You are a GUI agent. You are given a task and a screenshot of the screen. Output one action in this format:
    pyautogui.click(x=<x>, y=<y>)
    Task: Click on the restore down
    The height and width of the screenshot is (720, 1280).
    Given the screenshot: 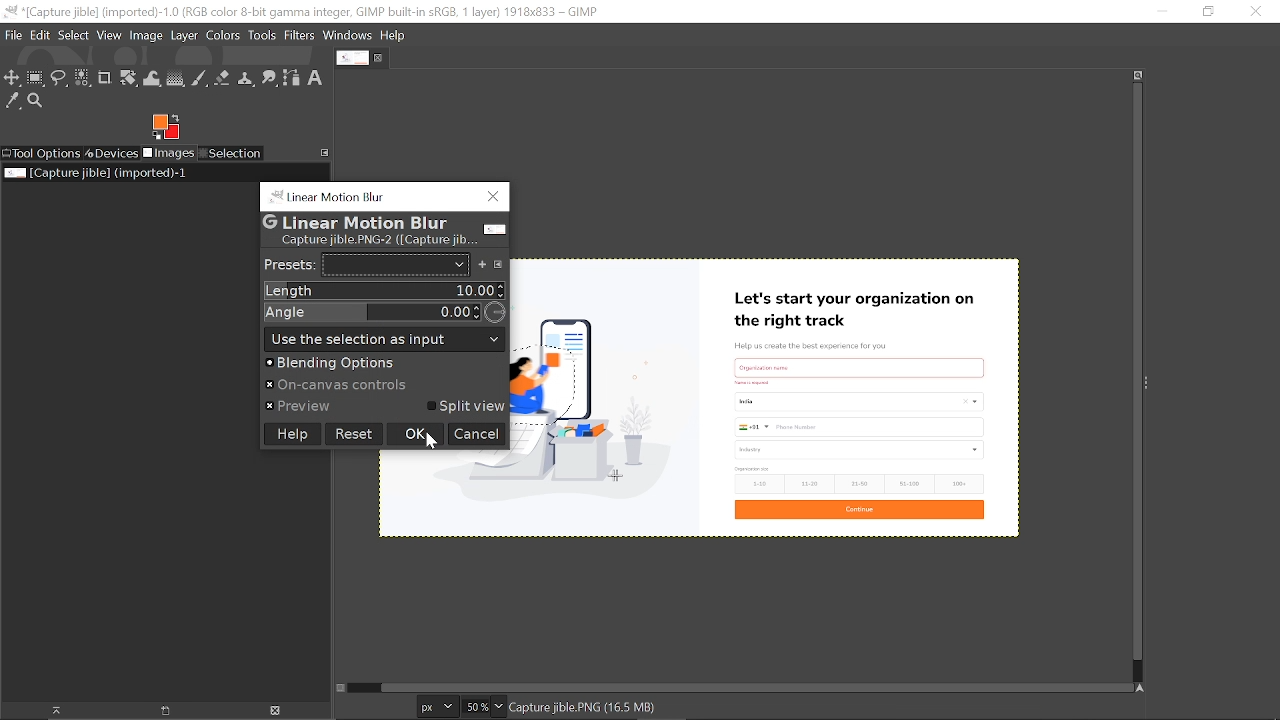 What is the action you would take?
    pyautogui.click(x=1207, y=11)
    